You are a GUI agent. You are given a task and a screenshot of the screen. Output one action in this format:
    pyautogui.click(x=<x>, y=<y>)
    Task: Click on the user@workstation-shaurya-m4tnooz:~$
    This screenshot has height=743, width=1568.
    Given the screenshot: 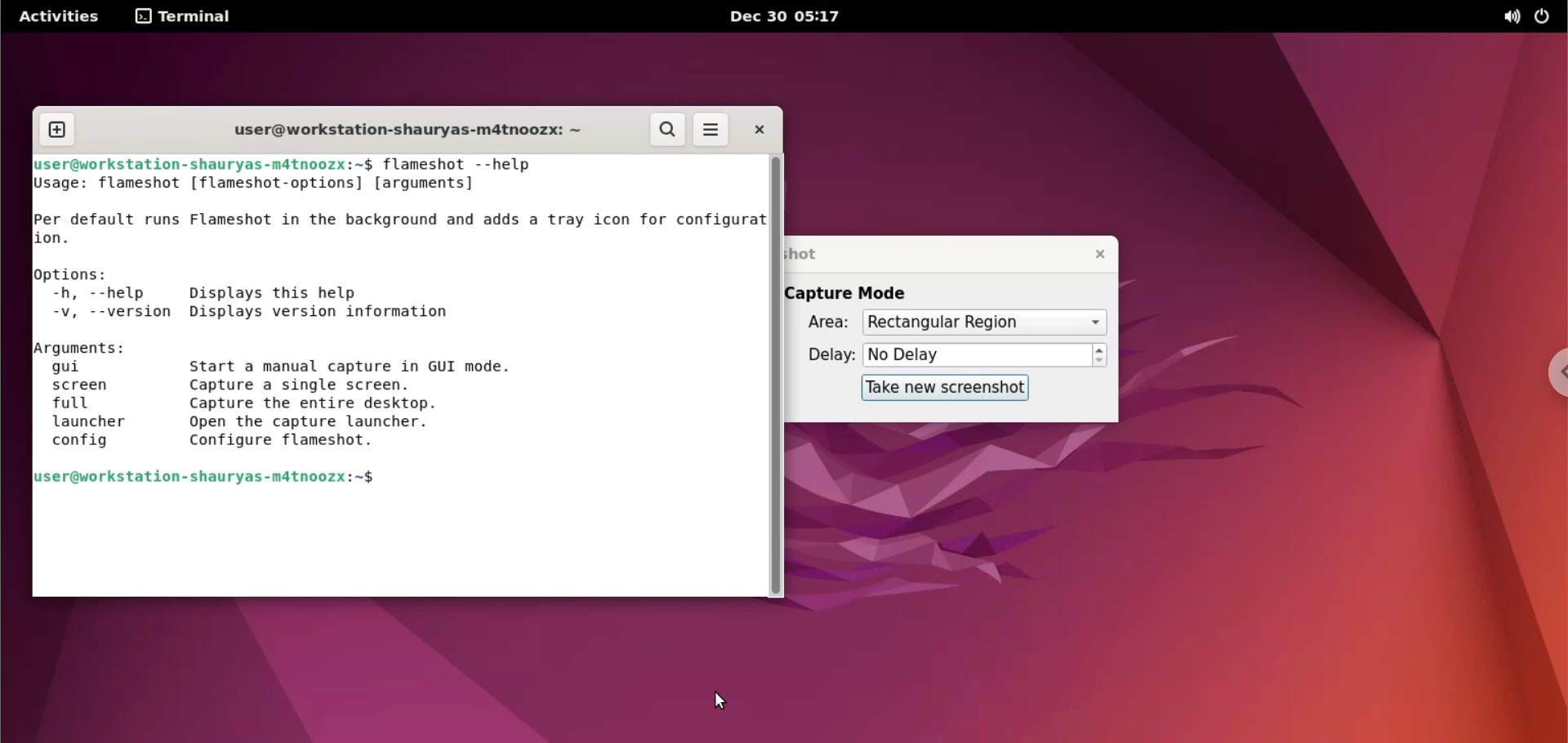 What is the action you would take?
    pyautogui.click(x=205, y=163)
    